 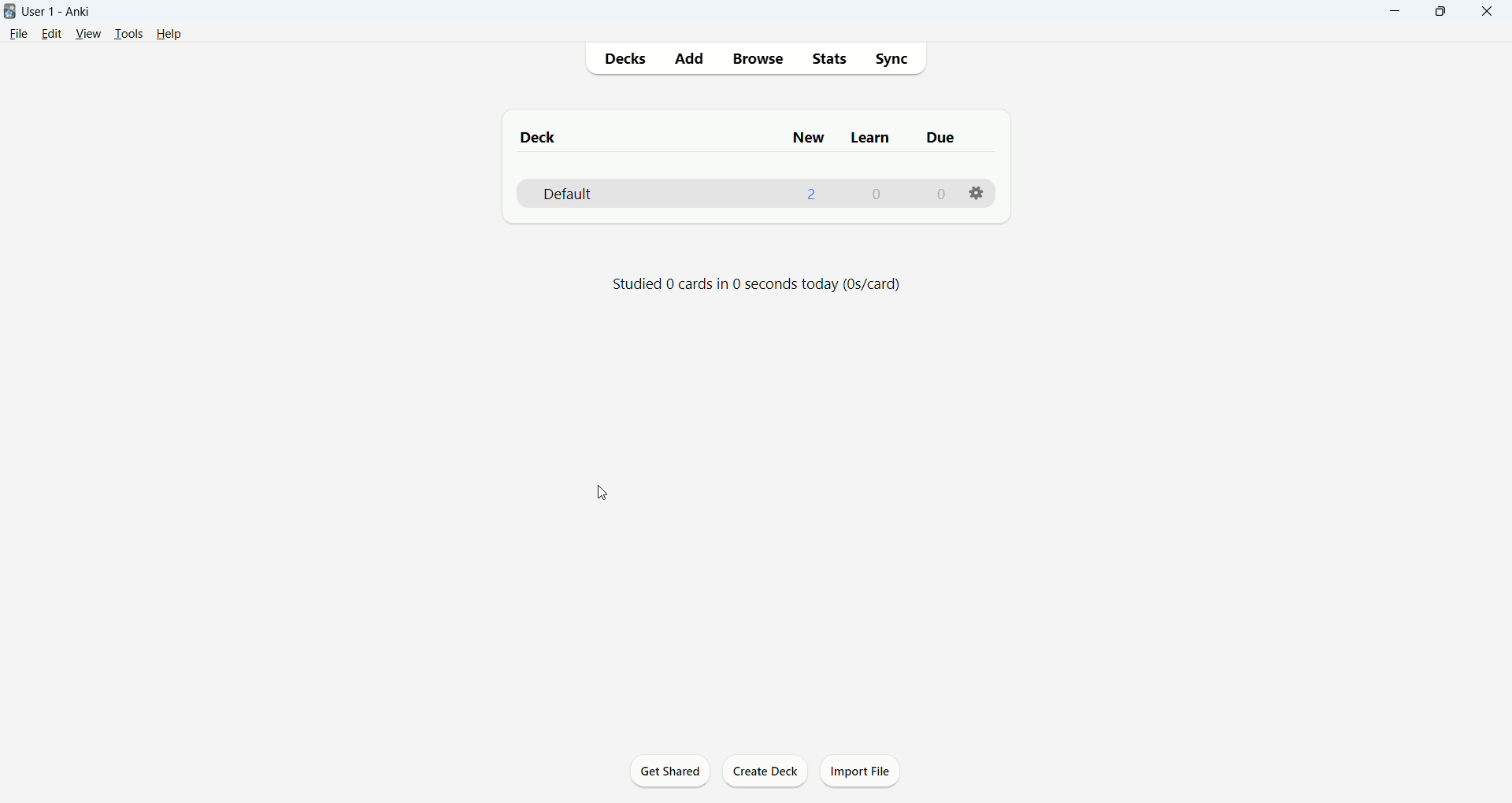 I want to click on new, so click(x=807, y=139).